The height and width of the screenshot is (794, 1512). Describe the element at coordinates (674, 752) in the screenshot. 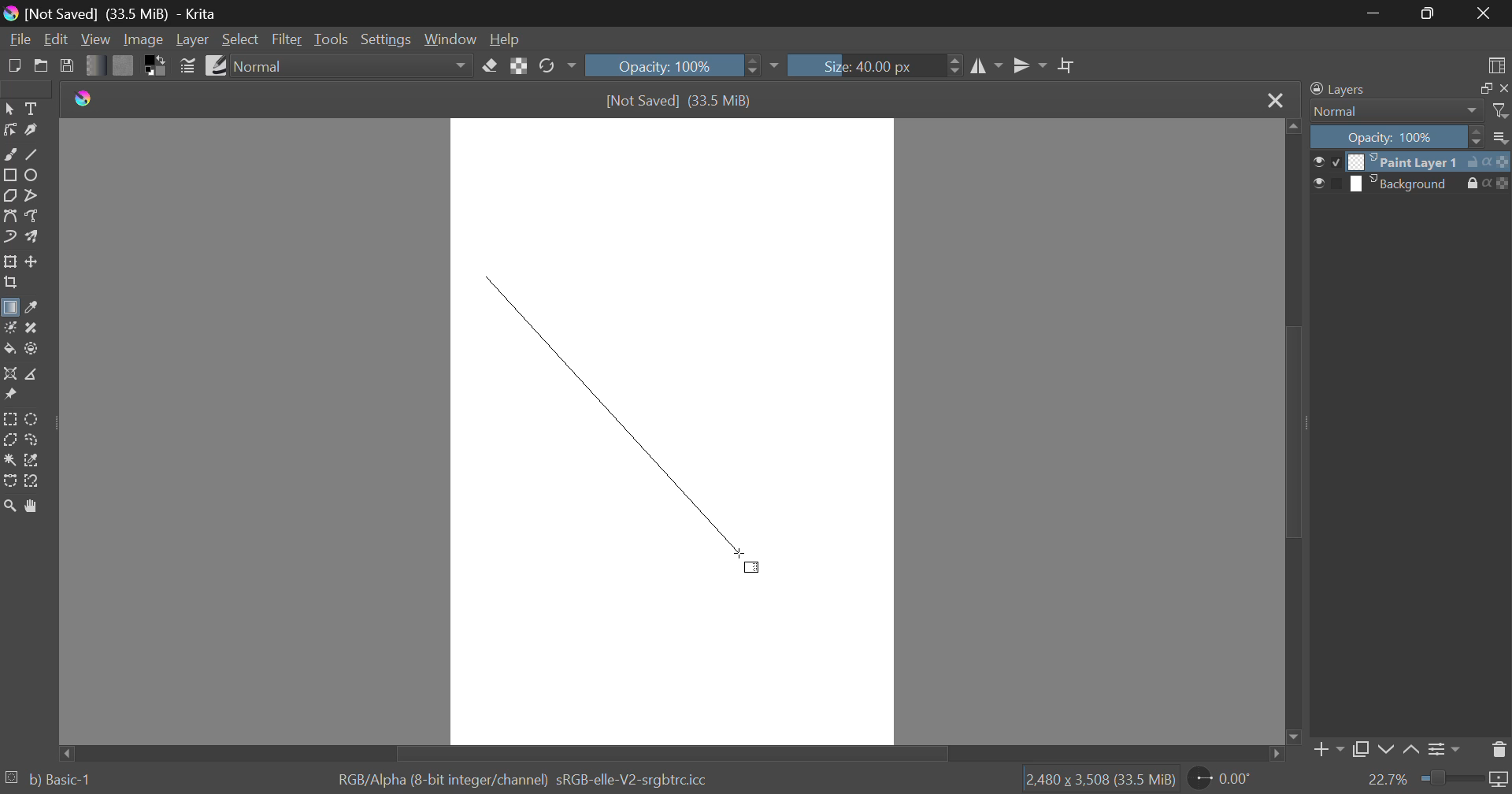

I see `Scroll Bar` at that location.